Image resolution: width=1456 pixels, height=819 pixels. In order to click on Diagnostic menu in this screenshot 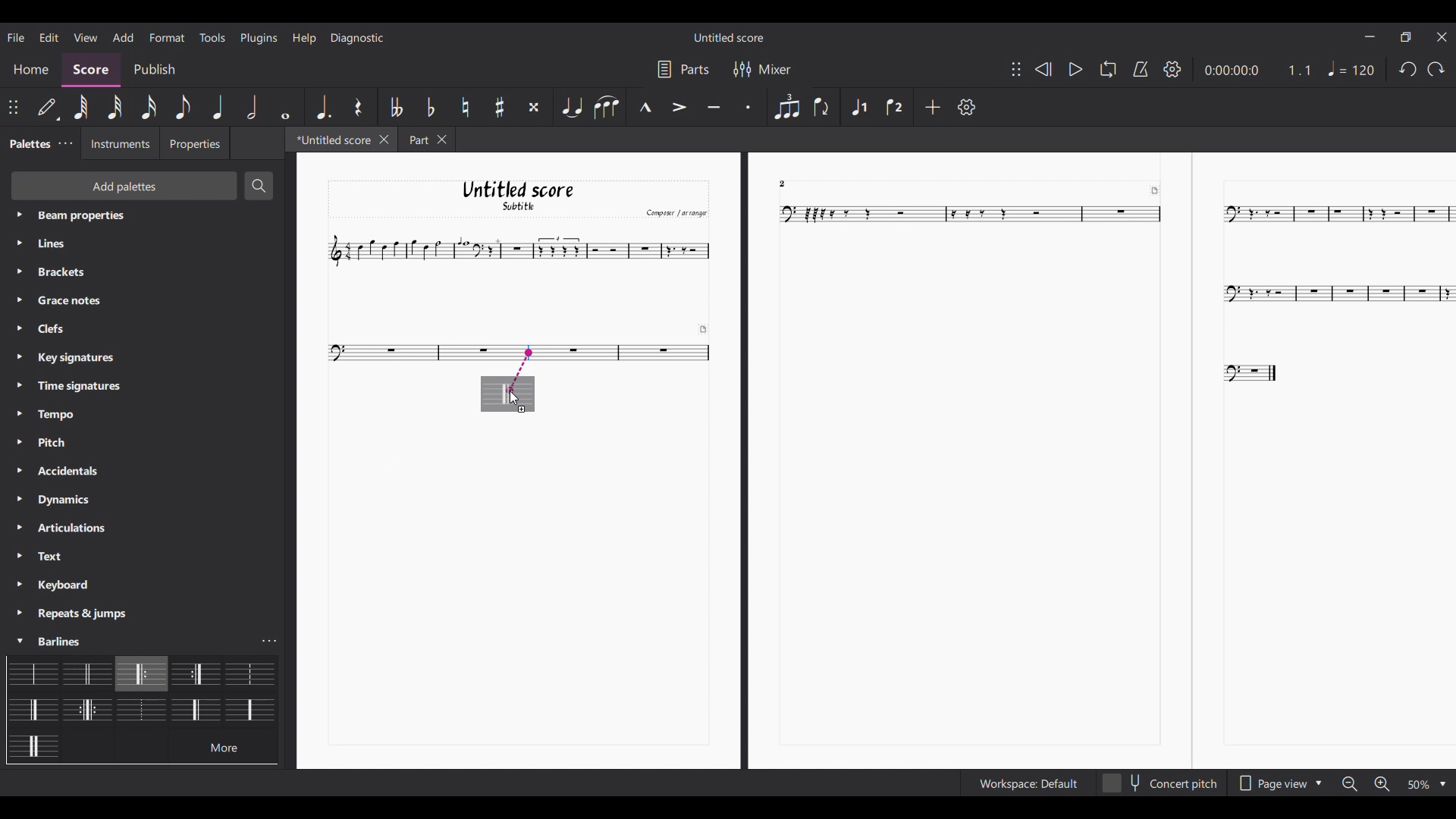, I will do `click(358, 38)`.